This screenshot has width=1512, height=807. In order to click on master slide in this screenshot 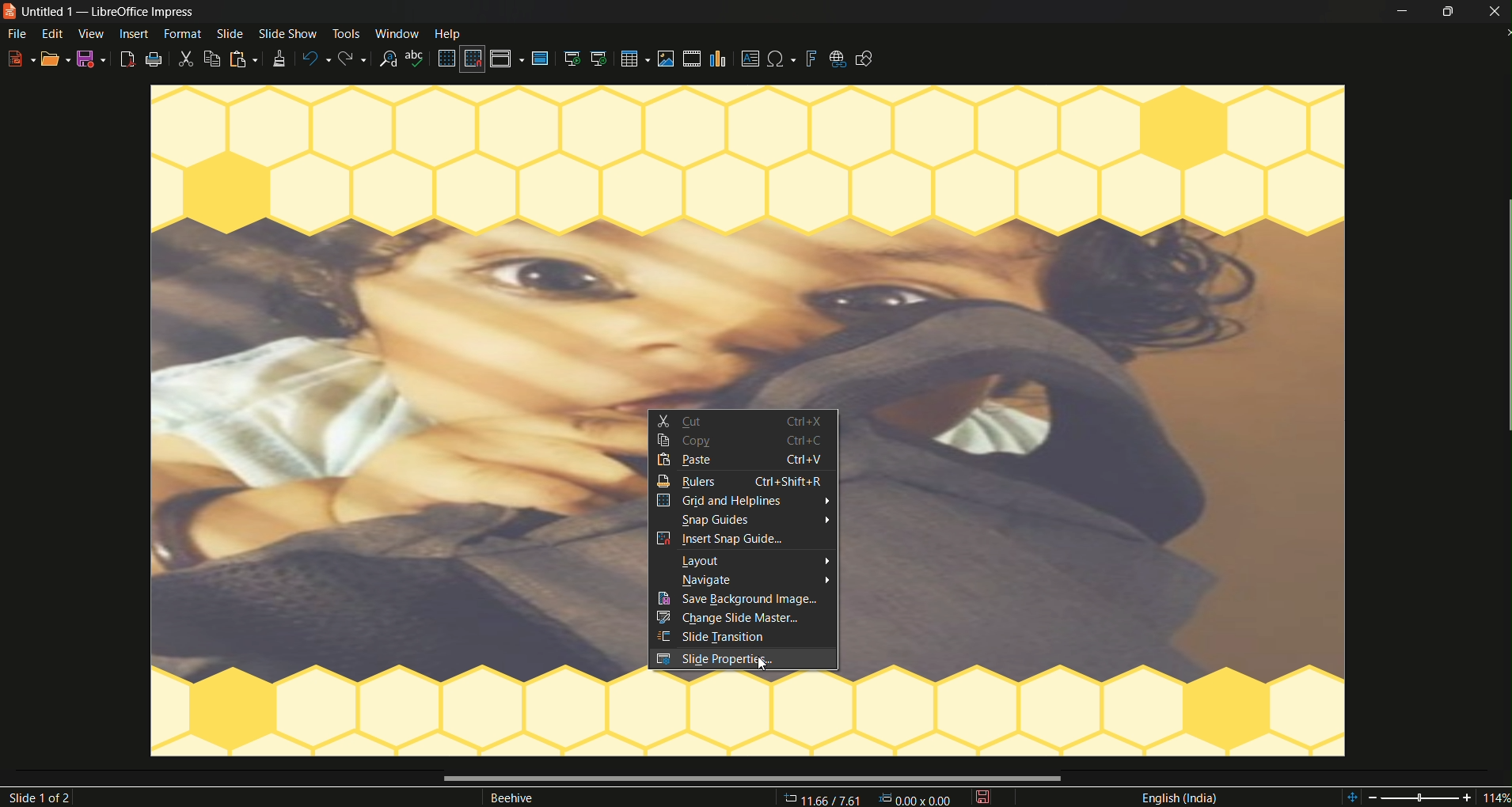, I will do `click(543, 59)`.